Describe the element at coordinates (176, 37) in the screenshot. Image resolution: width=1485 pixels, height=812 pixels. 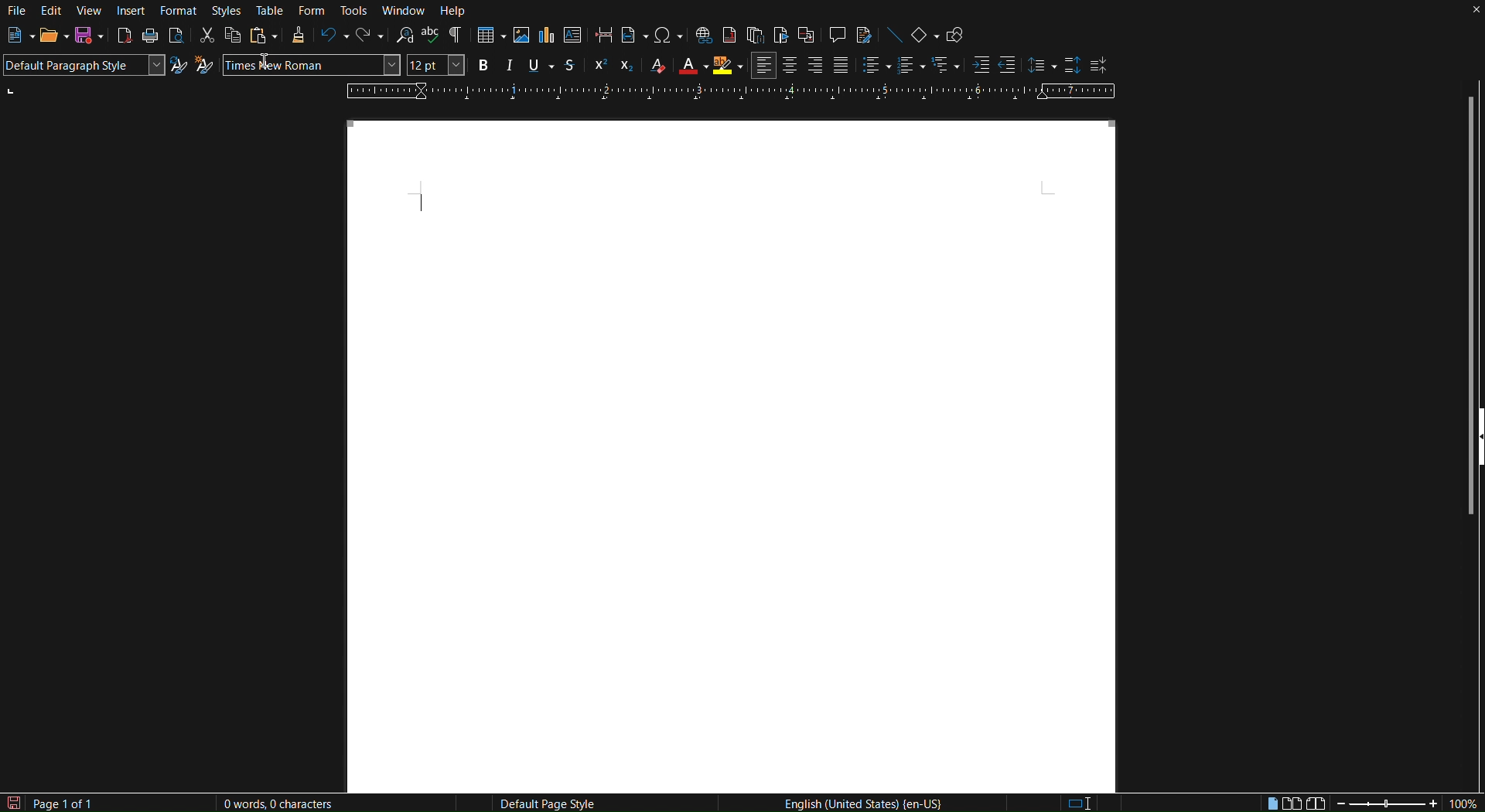
I see `Toggle print preview` at that location.